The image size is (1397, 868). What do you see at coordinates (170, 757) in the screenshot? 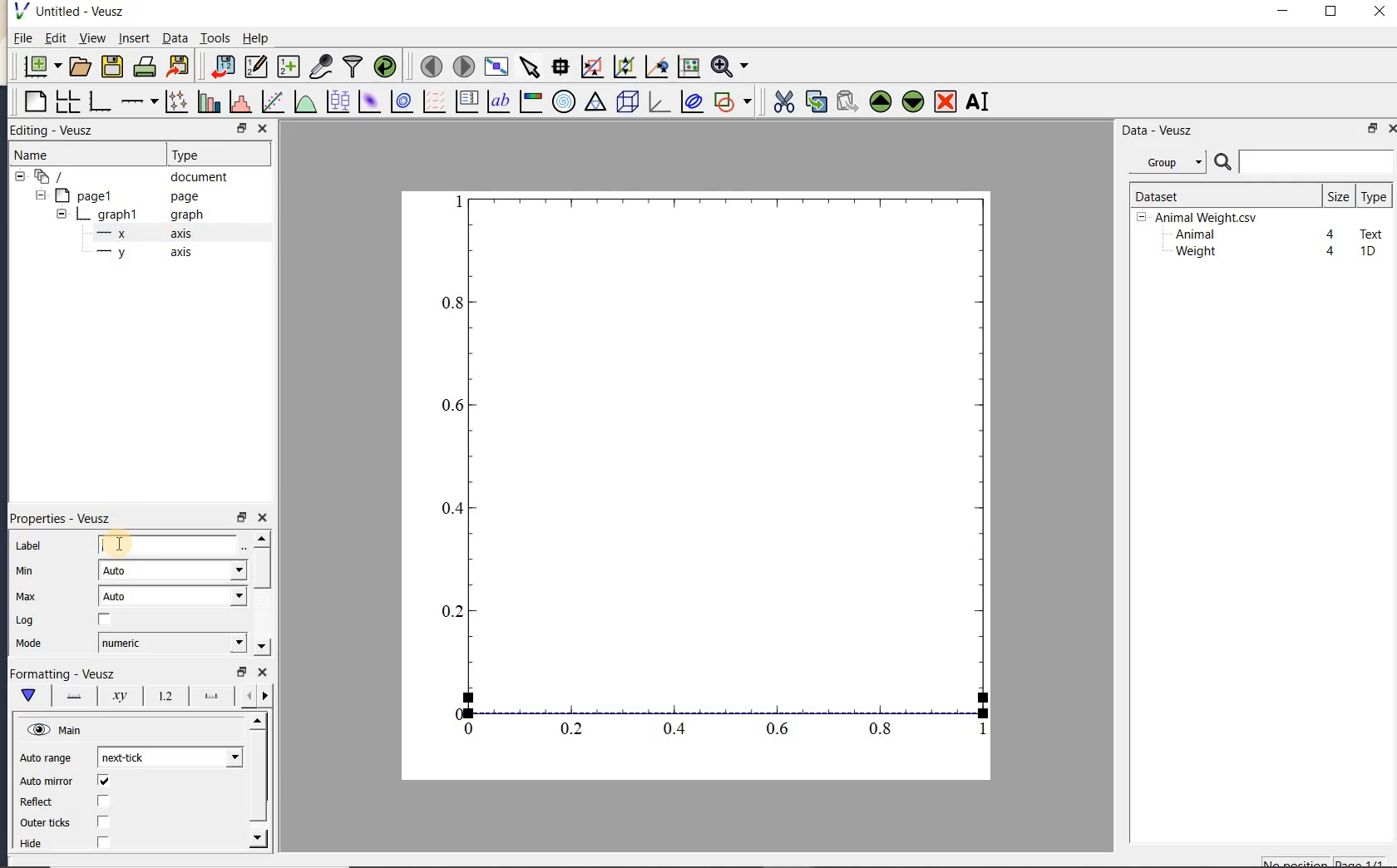
I see `next click` at bounding box center [170, 757].